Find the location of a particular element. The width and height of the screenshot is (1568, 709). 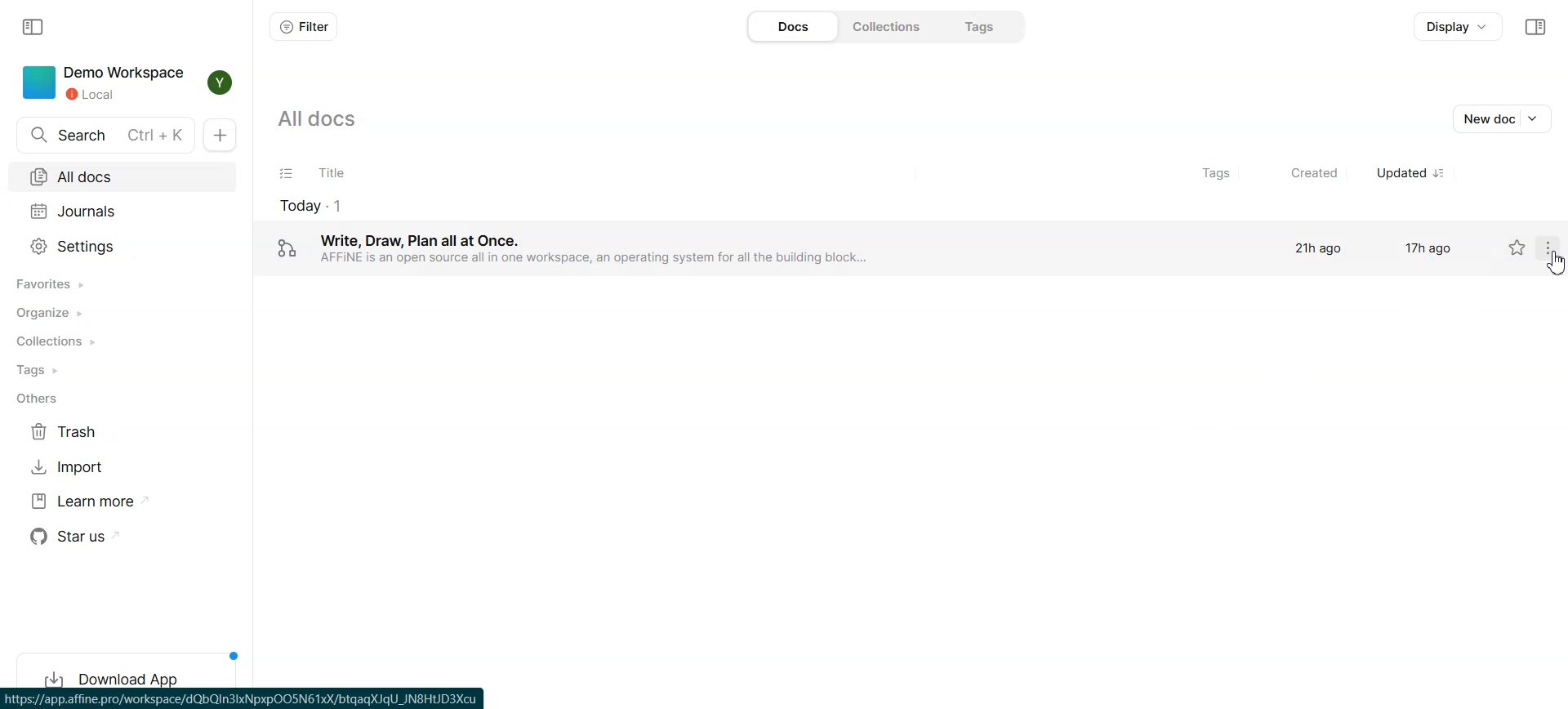

Tags is located at coordinates (123, 371).